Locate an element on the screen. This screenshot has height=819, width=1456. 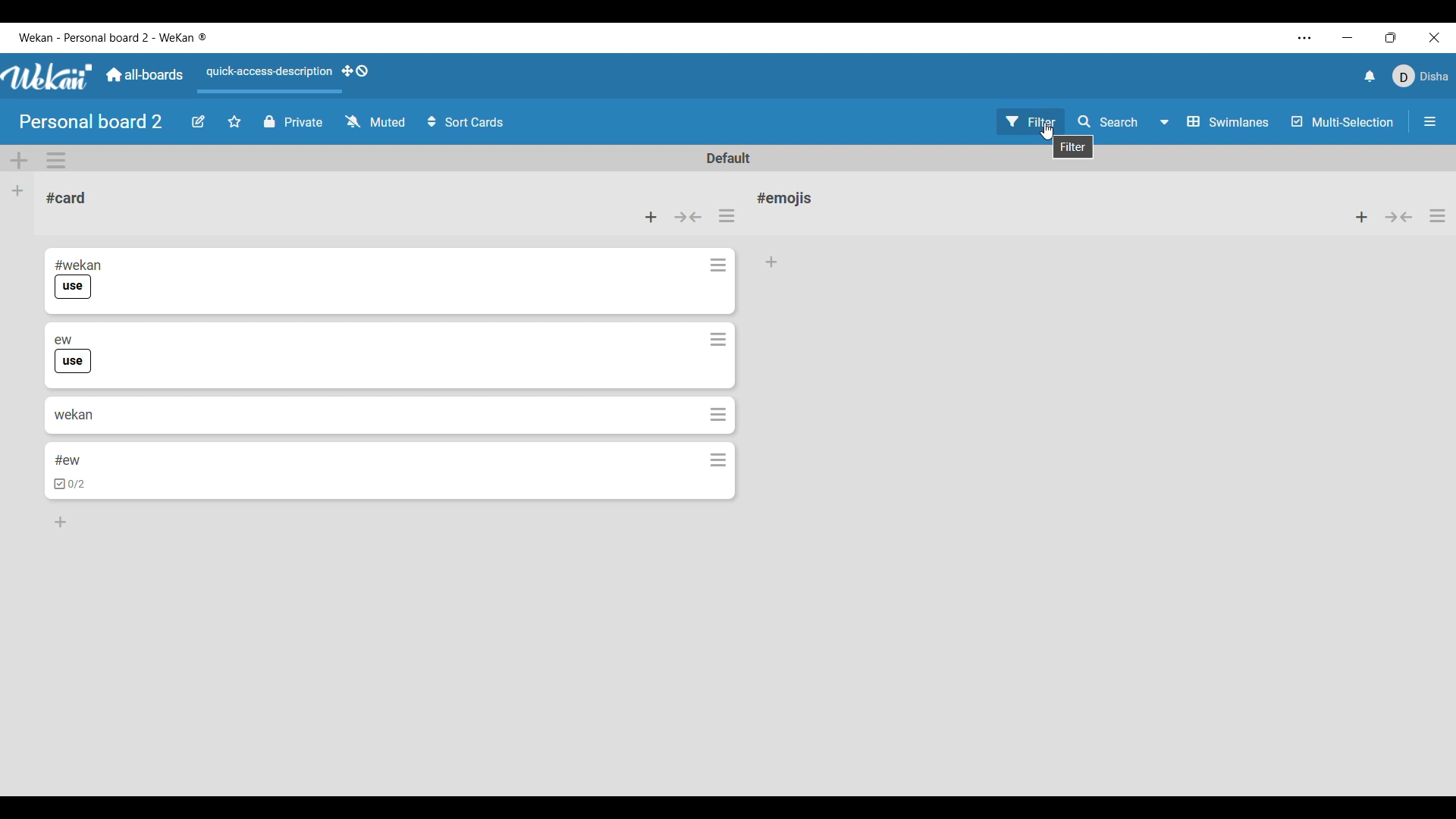
cursor is located at coordinates (1049, 134).